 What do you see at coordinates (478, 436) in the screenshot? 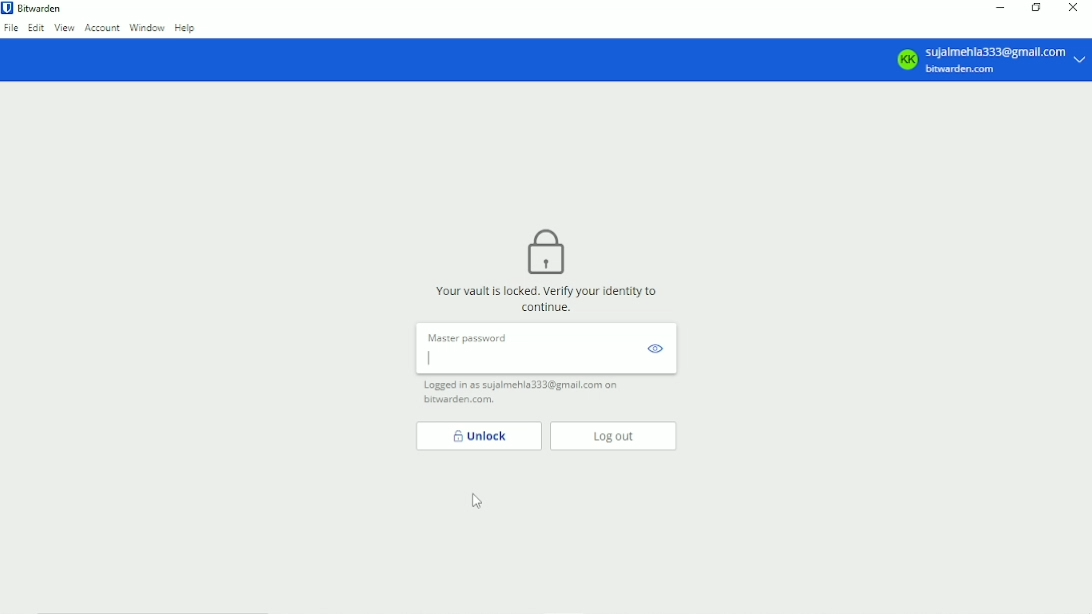
I see `unlock` at bounding box center [478, 436].